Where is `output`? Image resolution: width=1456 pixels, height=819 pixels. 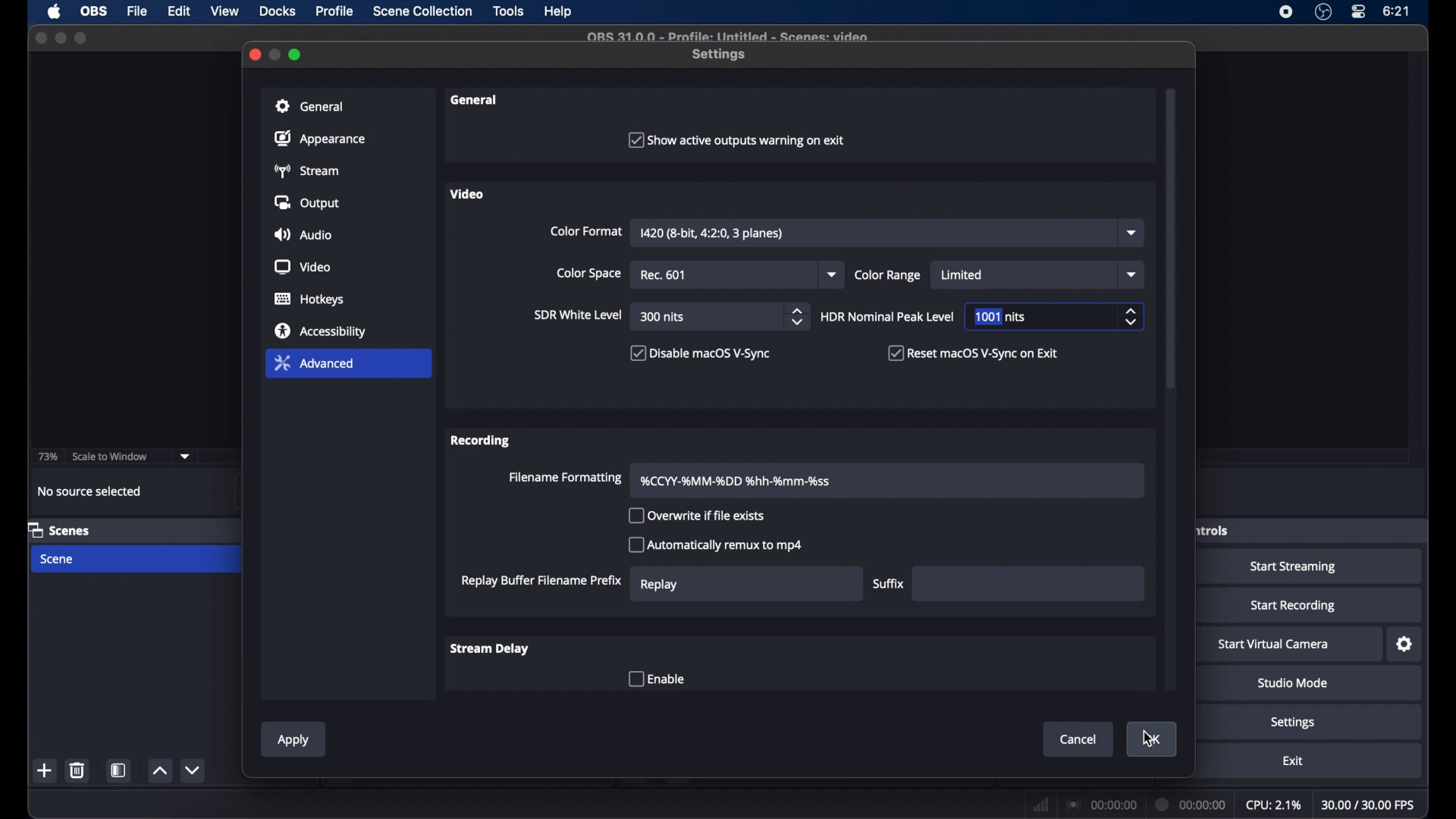 output is located at coordinates (305, 202).